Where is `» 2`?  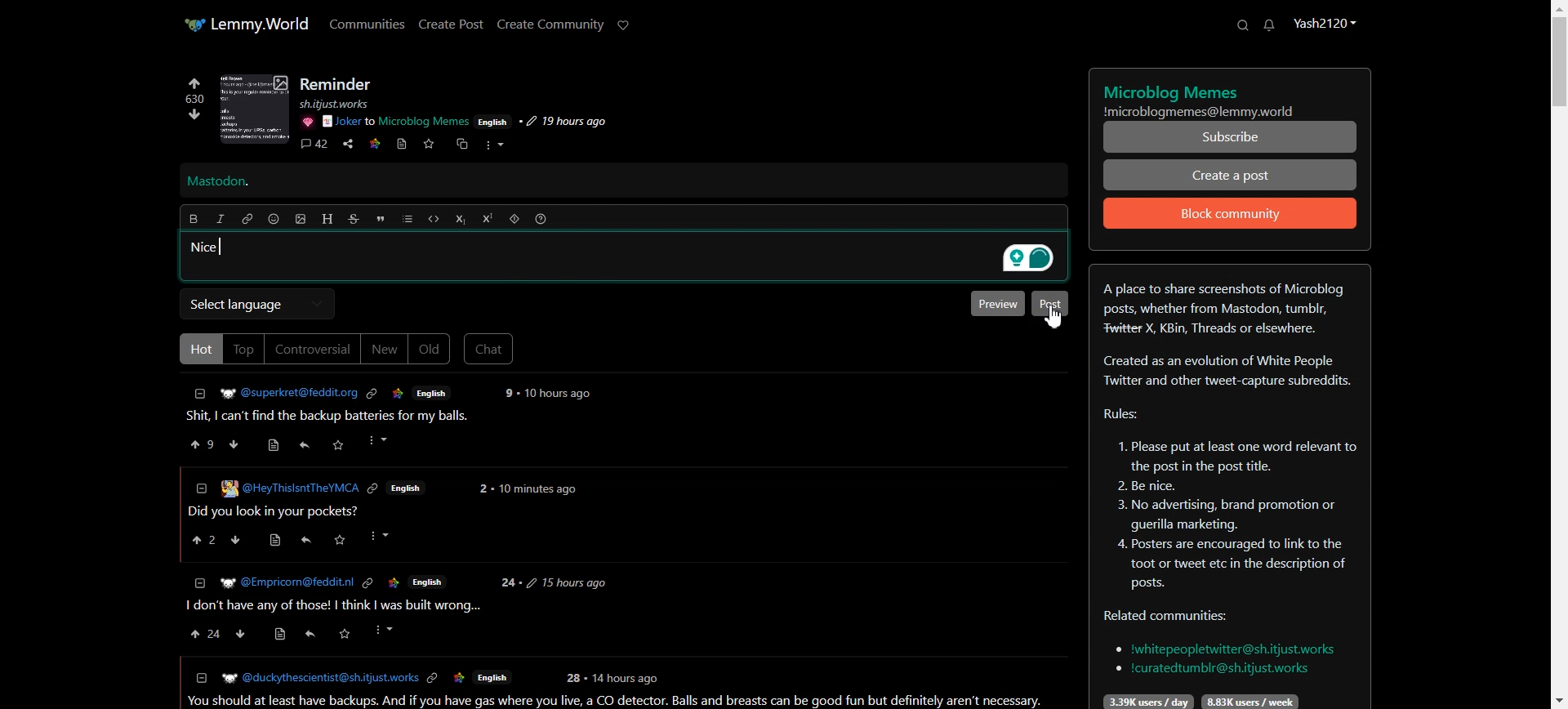
» 2 is located at coordinates (200, 542).